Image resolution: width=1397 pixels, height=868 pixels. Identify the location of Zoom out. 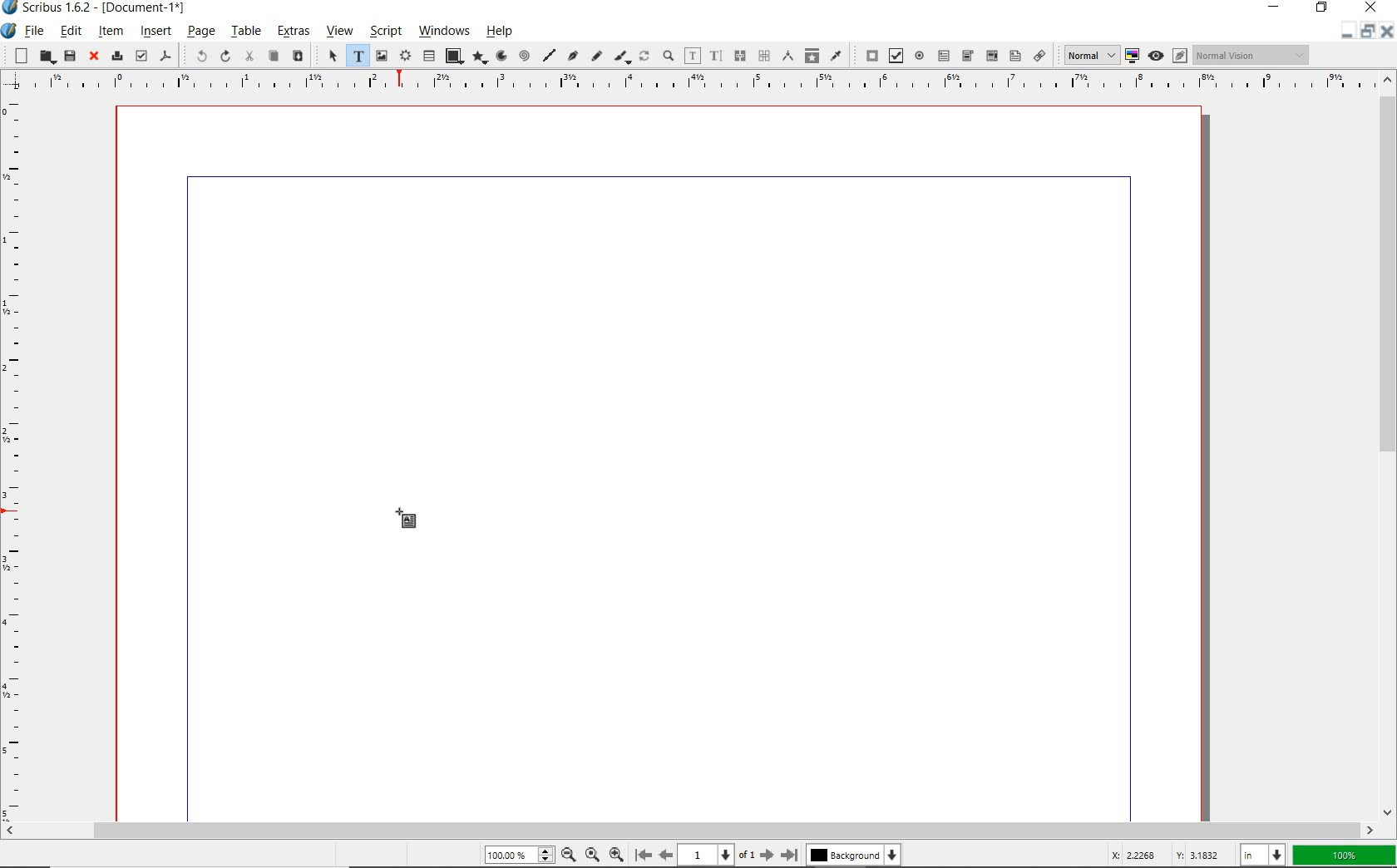
(565, 855).